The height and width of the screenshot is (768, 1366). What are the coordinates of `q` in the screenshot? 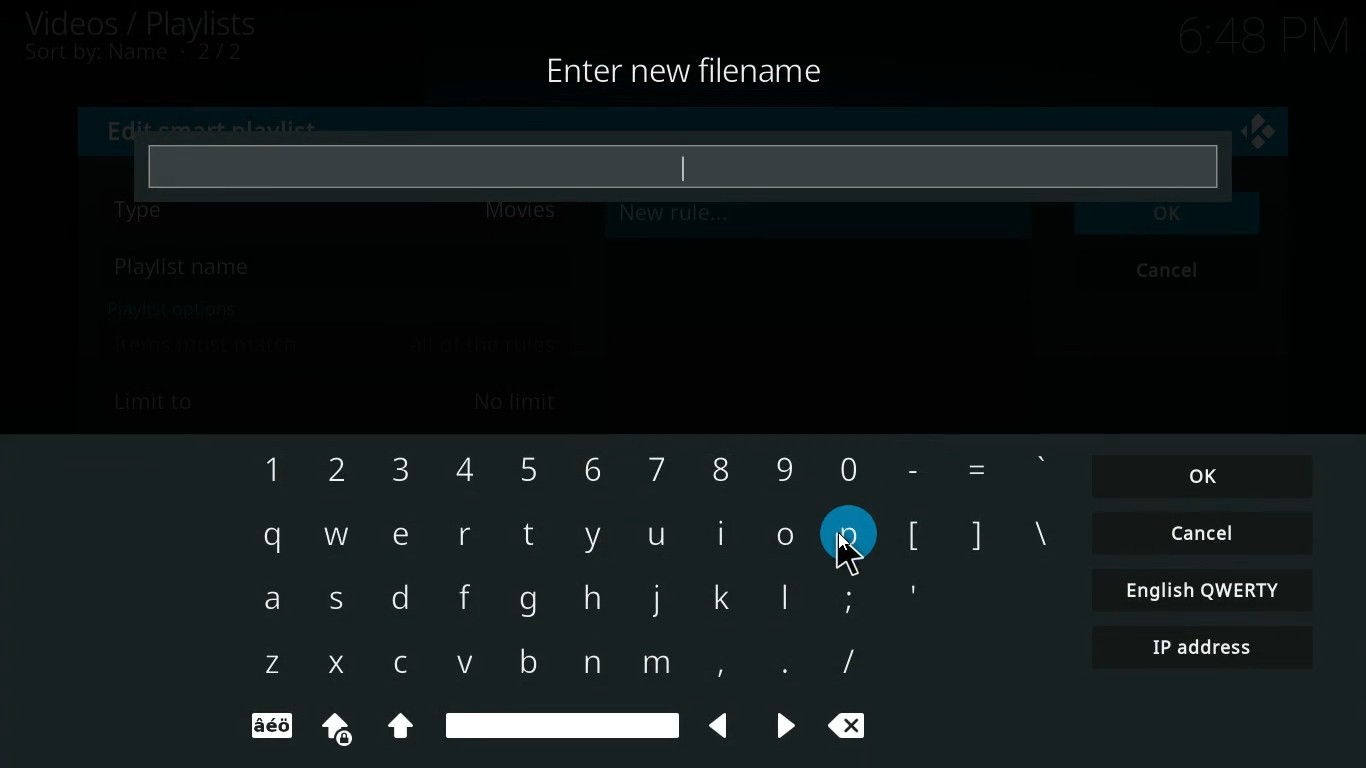 It's located at (268, 538).